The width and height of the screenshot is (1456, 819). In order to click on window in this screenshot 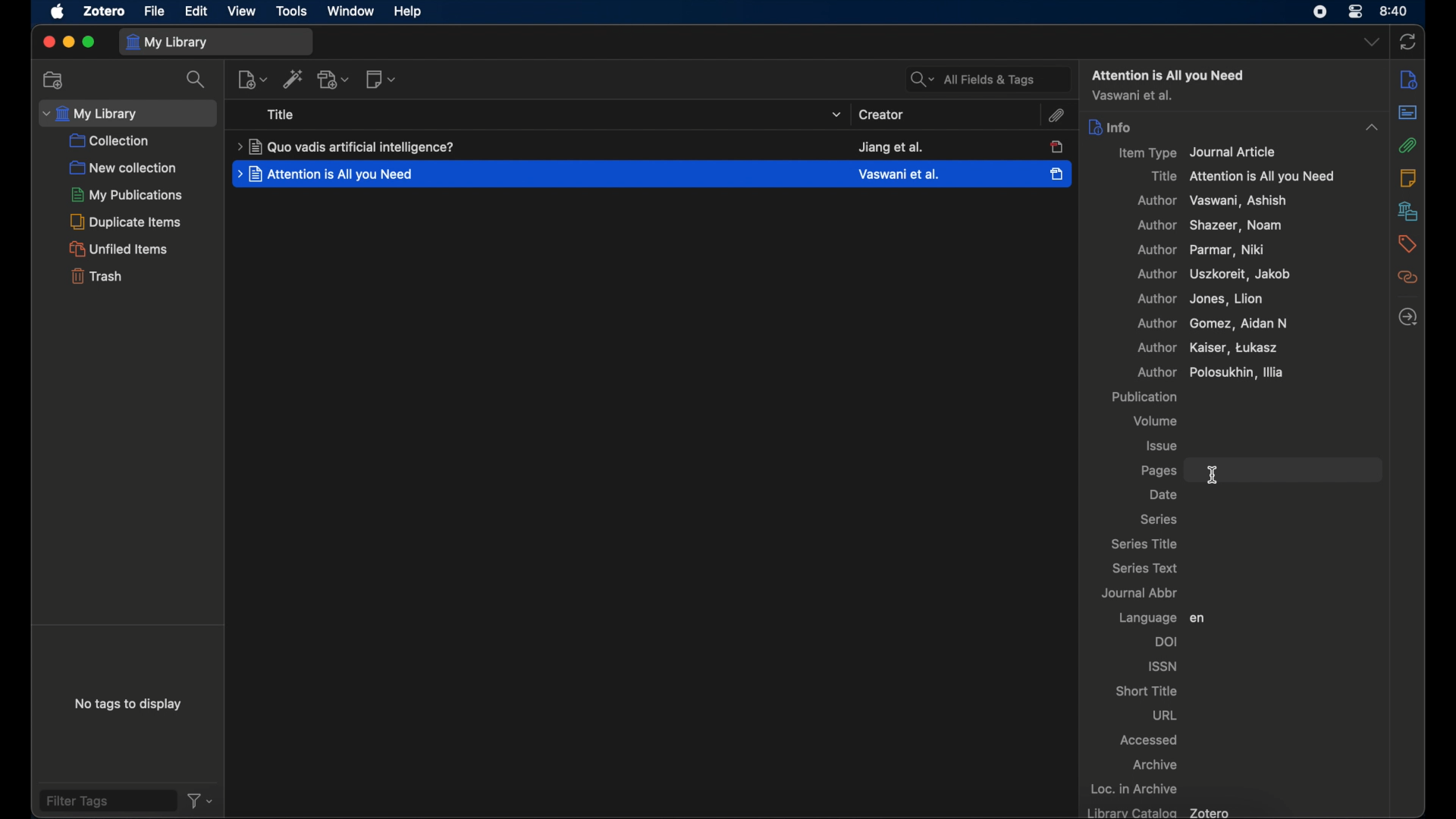, I will do `click(348, 11)`.